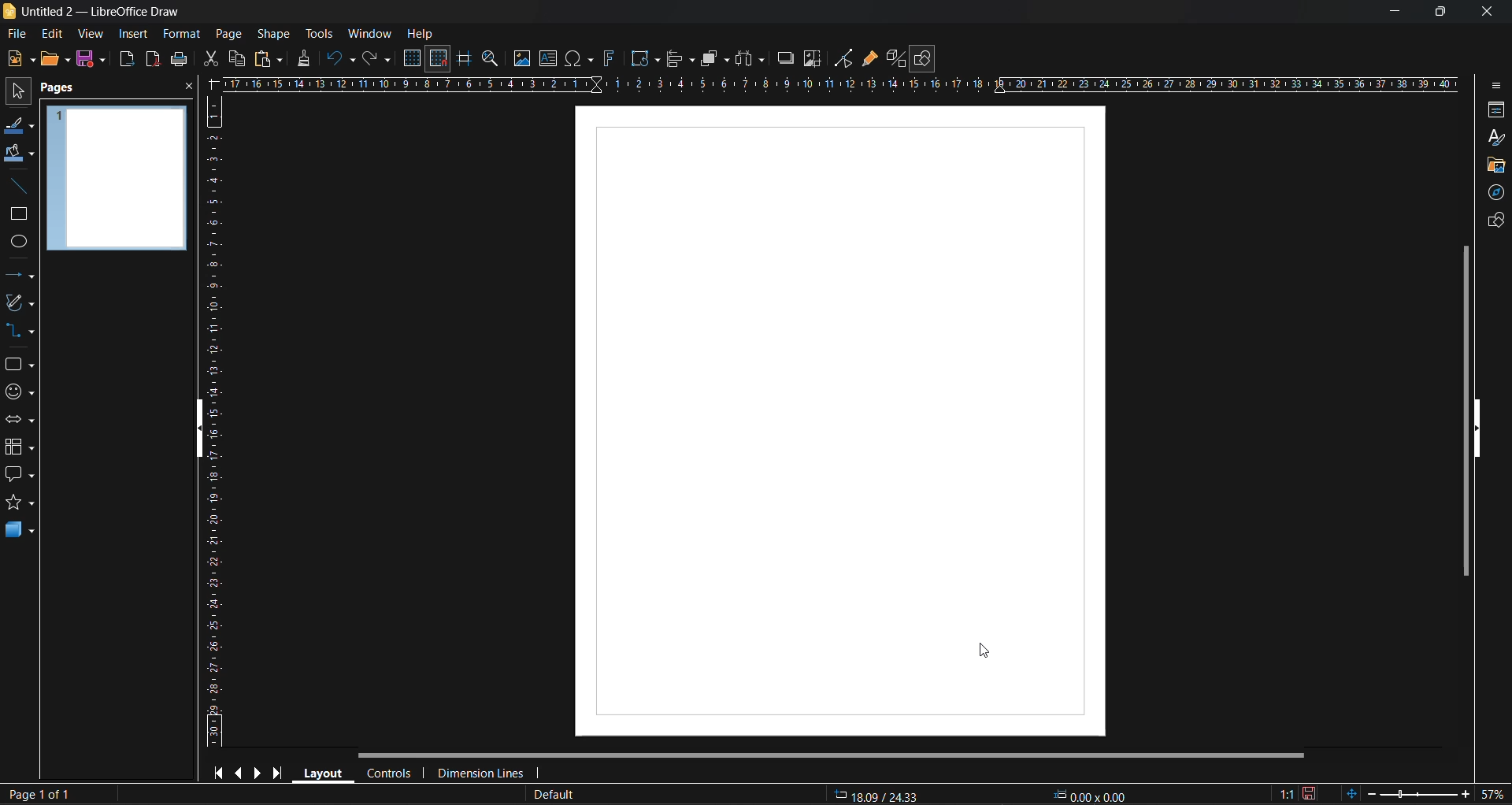  I want to click on select, so click(20, 94).